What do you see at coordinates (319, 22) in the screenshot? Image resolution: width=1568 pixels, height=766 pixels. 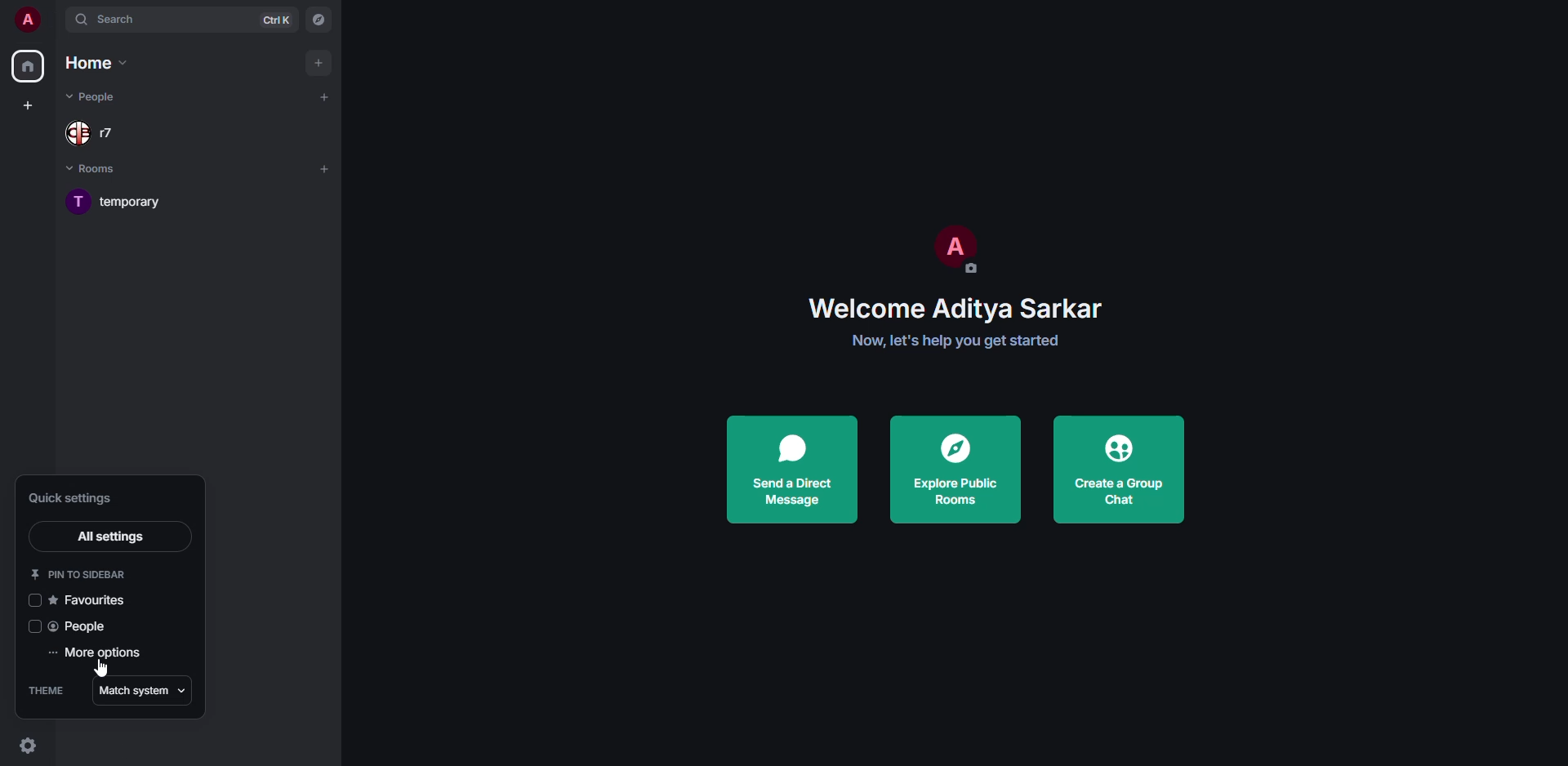 I see `navigator` at bounding box center [319, 22].